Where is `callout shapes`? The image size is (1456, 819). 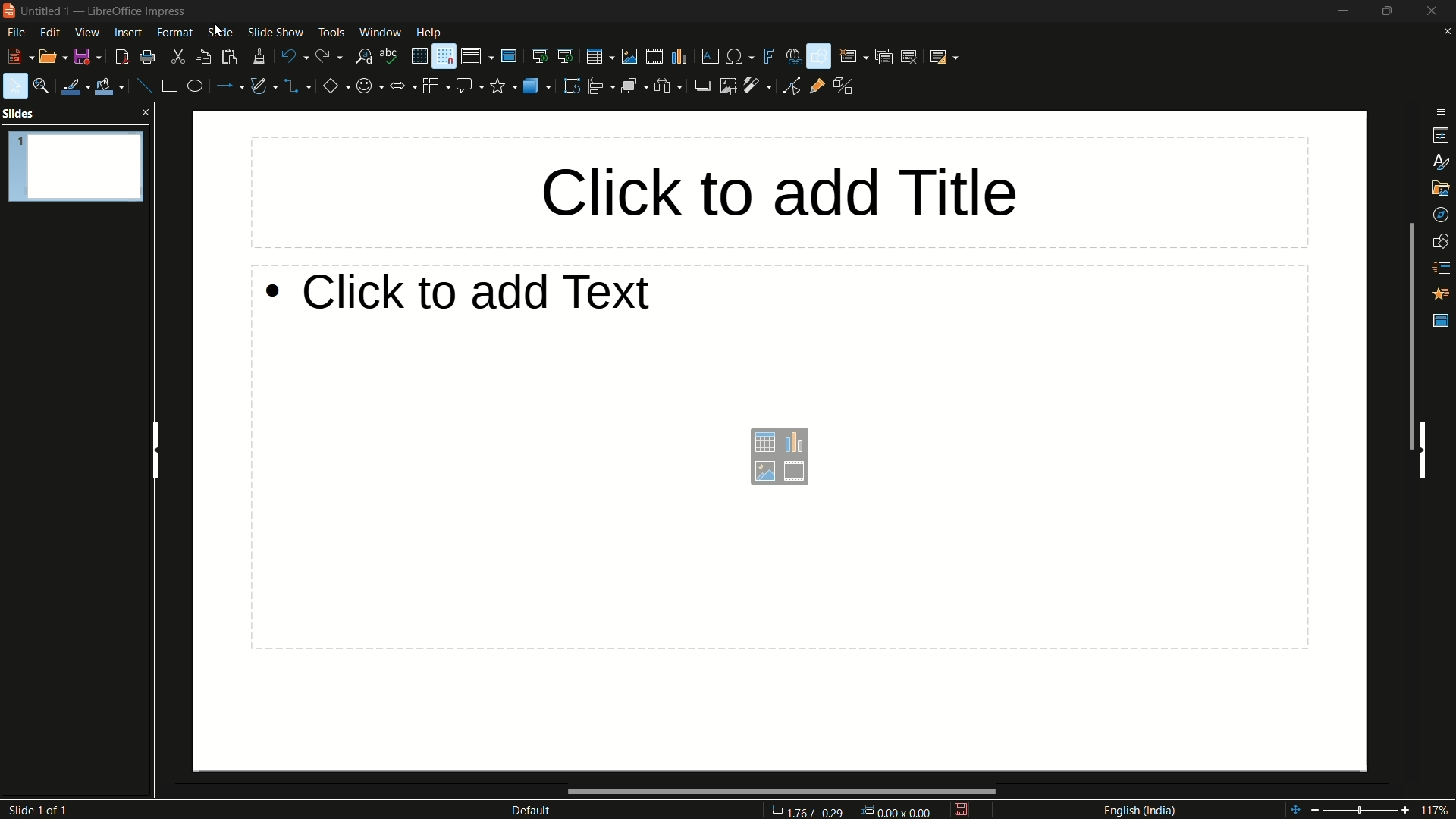 callout shapes is located at coordinates (471, 86).